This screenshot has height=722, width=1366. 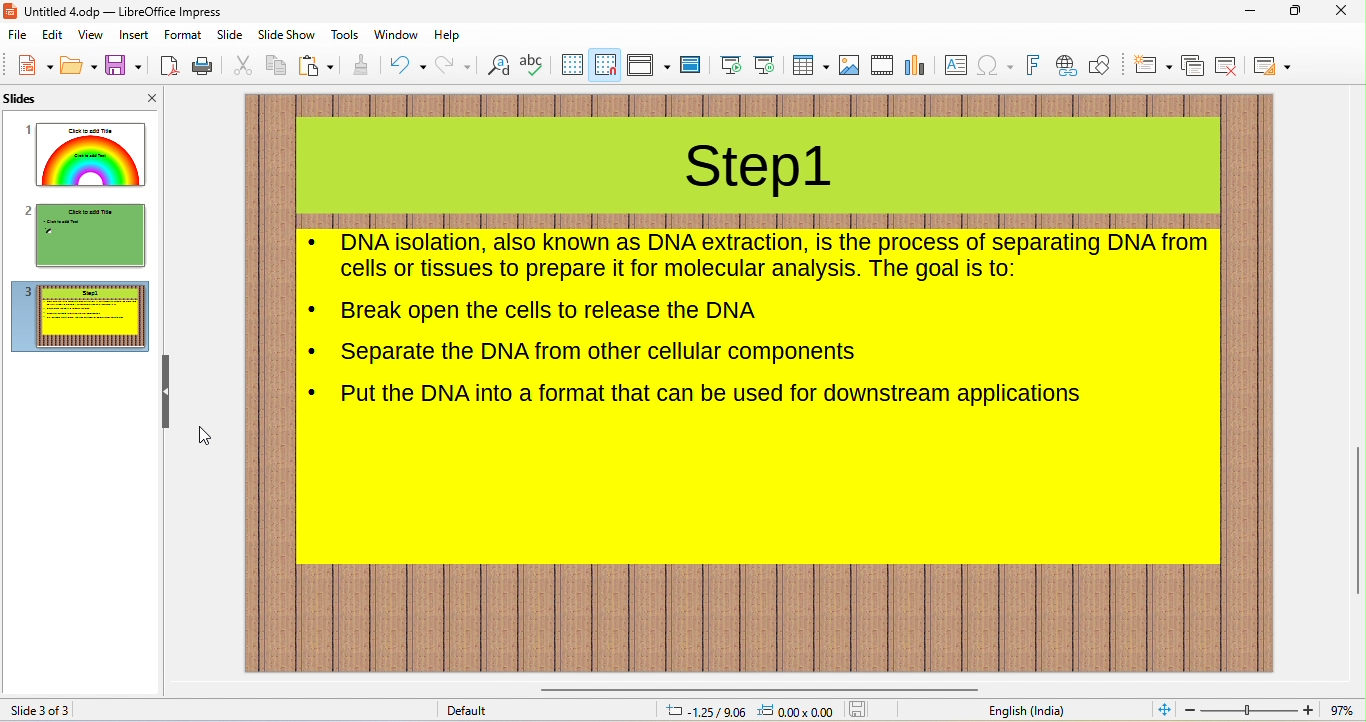 What do you see at coordinates (882, 65) in the screenshot?
I see `media` at bounding box center [882, 65].